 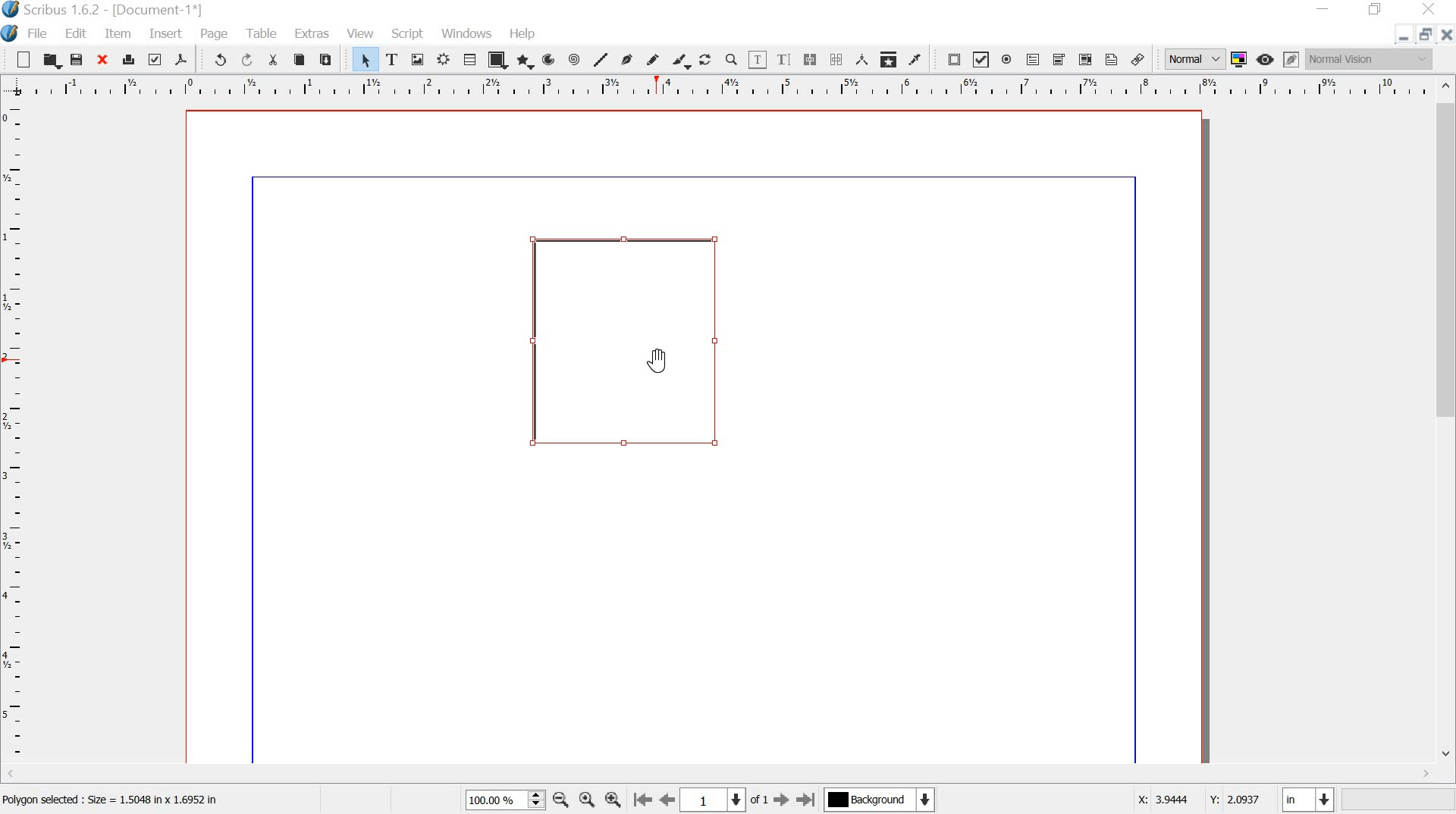 What do you see at coordinates (1112, 61) in the screenshot?
I see `text annotation` at bounding box center [1112, 61].